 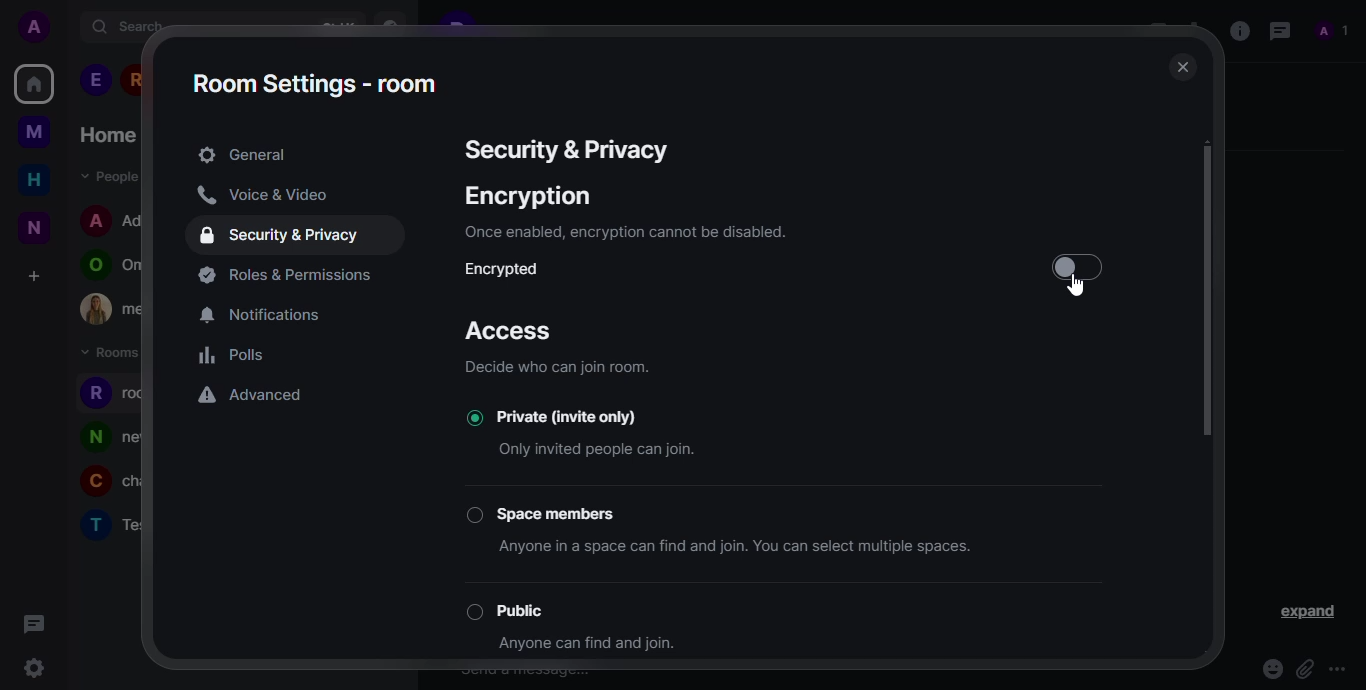 What do you see at coordinates (560, 366) in the screenshot?
I see `info- decide who can join room` at bounding box center [560, 366].